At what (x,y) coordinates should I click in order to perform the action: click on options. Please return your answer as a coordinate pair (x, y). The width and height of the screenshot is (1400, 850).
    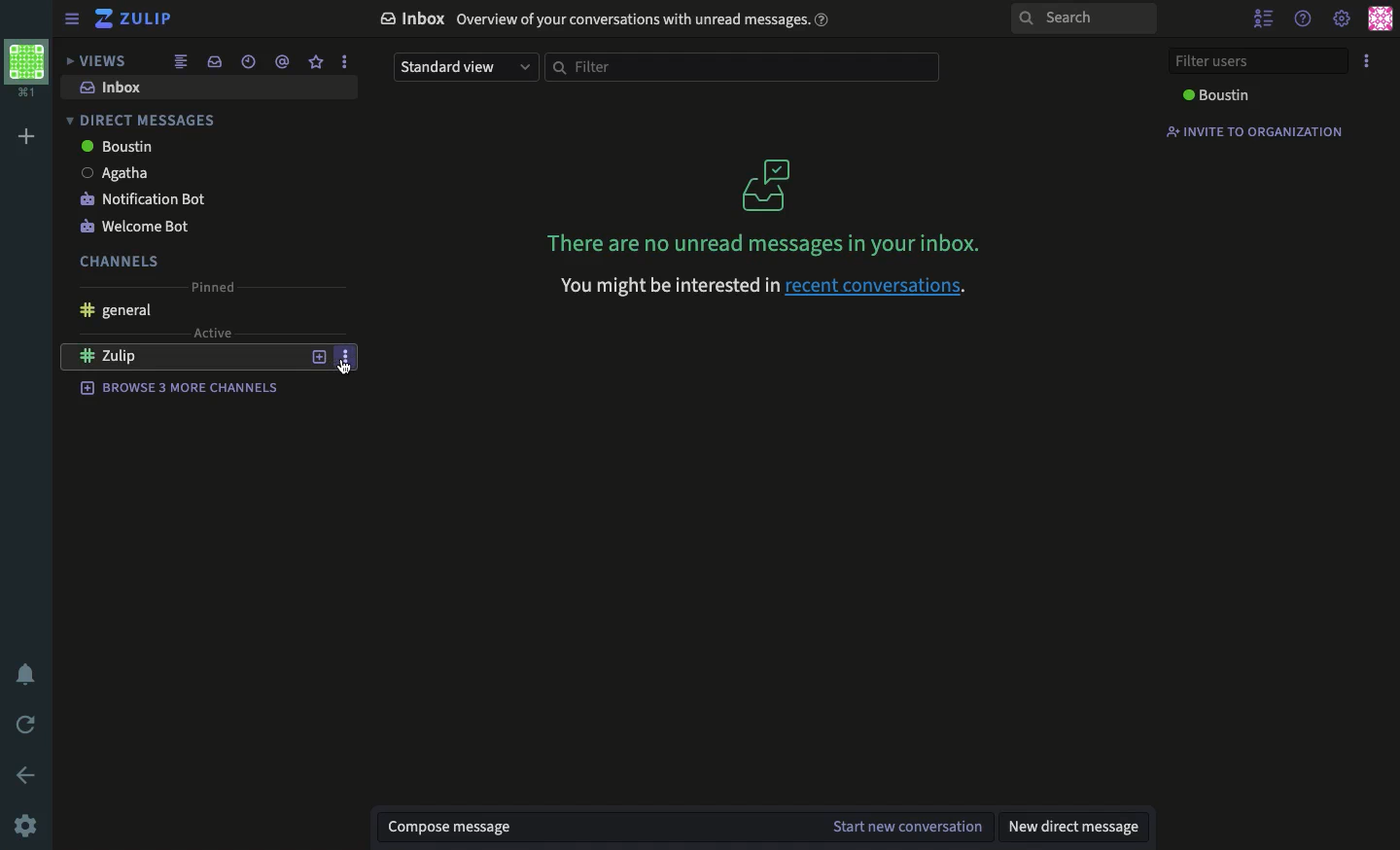
    Looking at the image, I should click on (345, 355).